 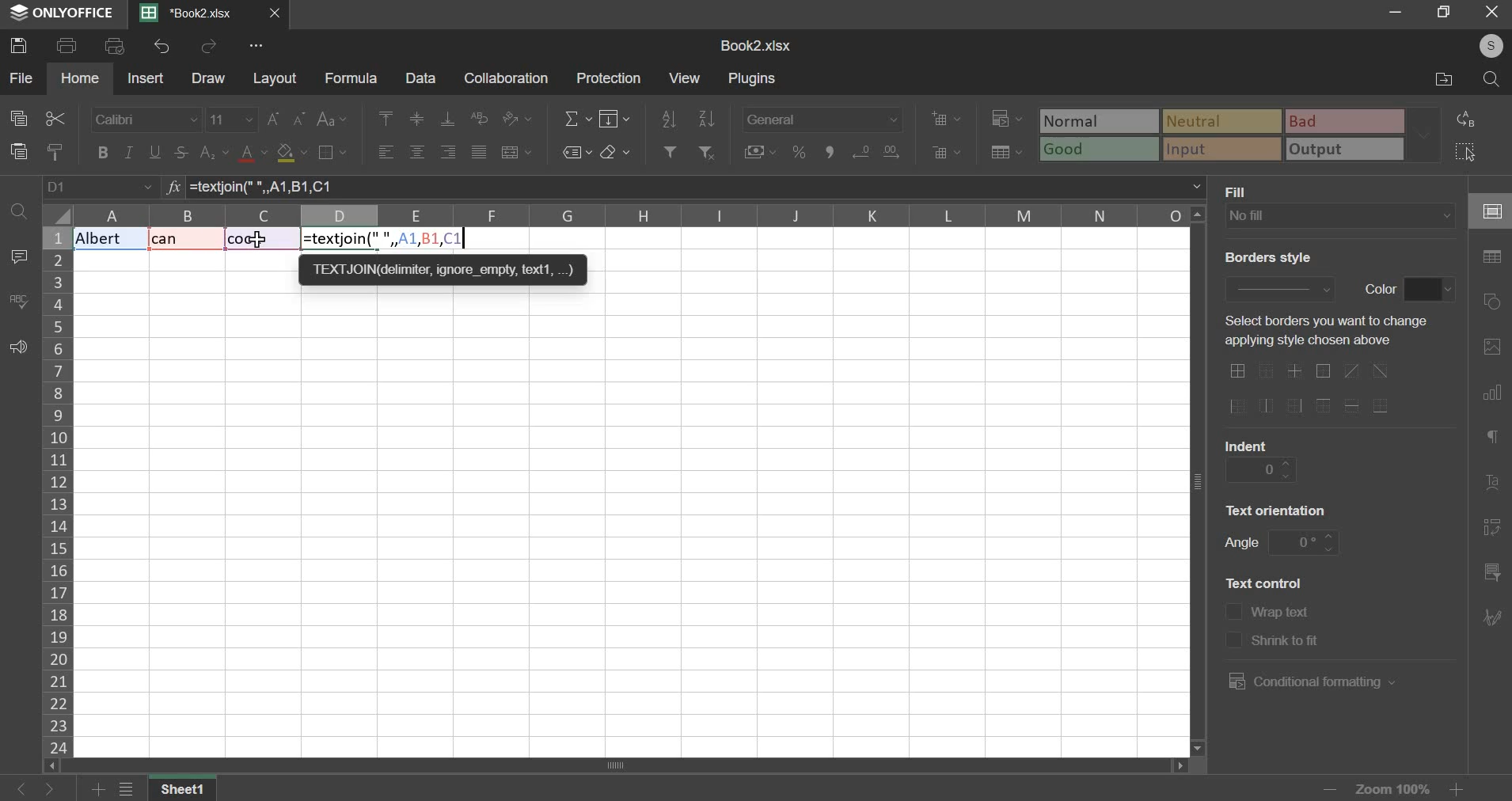 What do you see at coordinates (1309, 681) in the screenshot?
I see `conditional formatting` at bounding box center [1309, 681].